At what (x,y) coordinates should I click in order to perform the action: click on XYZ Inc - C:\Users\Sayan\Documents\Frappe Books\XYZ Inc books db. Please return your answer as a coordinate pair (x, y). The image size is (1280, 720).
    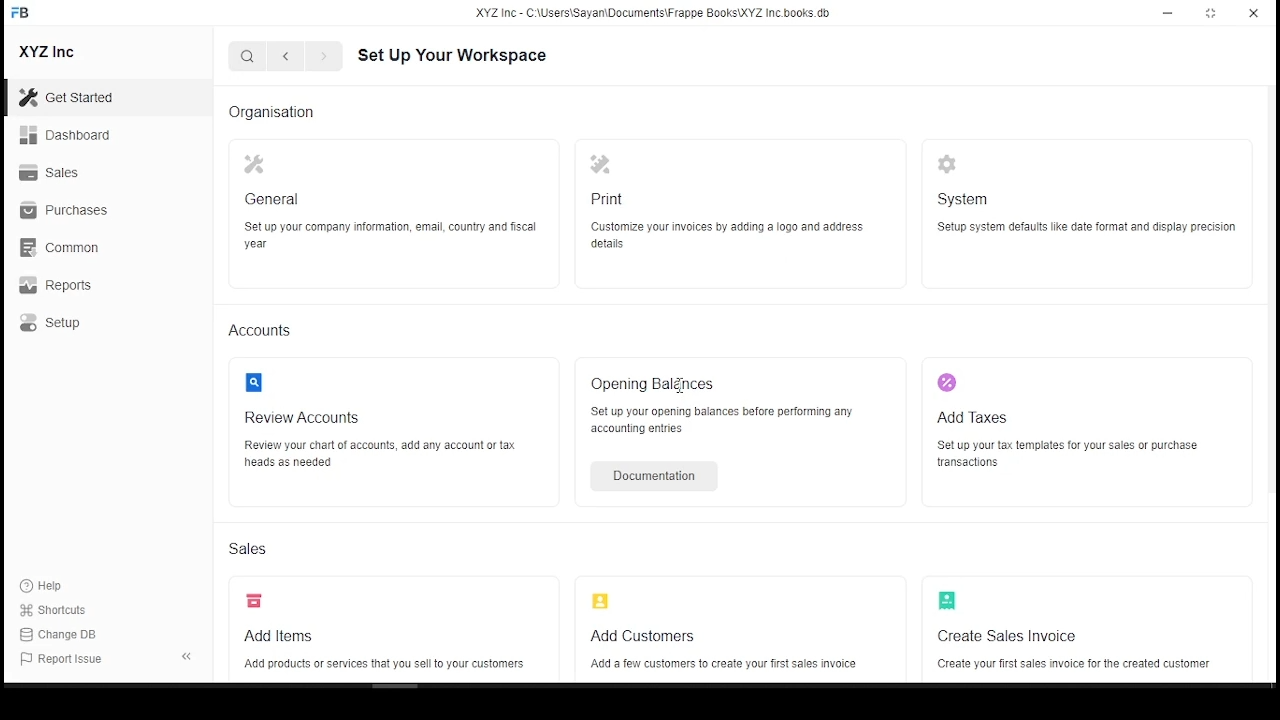
    Looking at the image, I should click on (657, 15).